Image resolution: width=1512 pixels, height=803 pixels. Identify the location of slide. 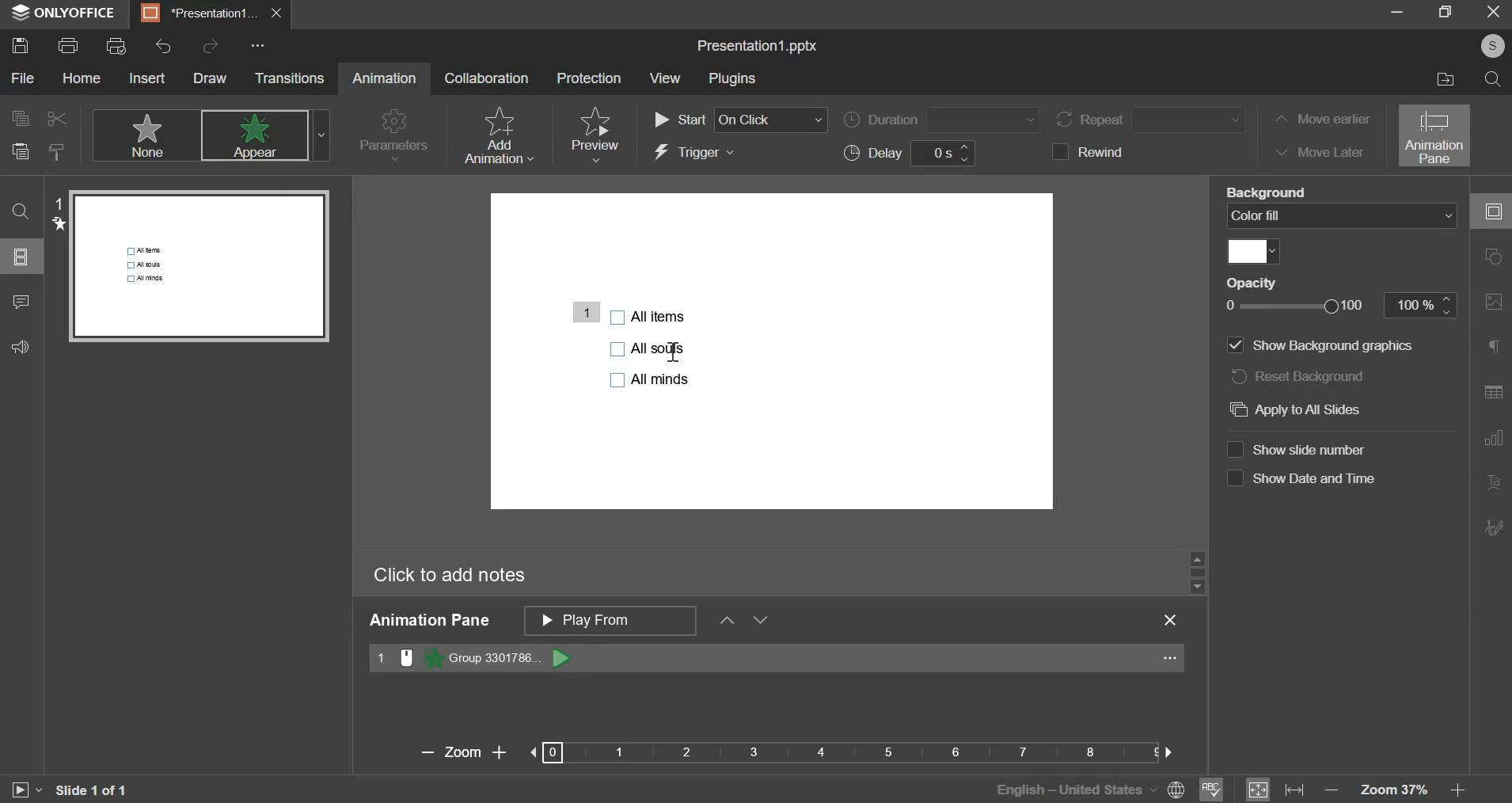
(23, 257).